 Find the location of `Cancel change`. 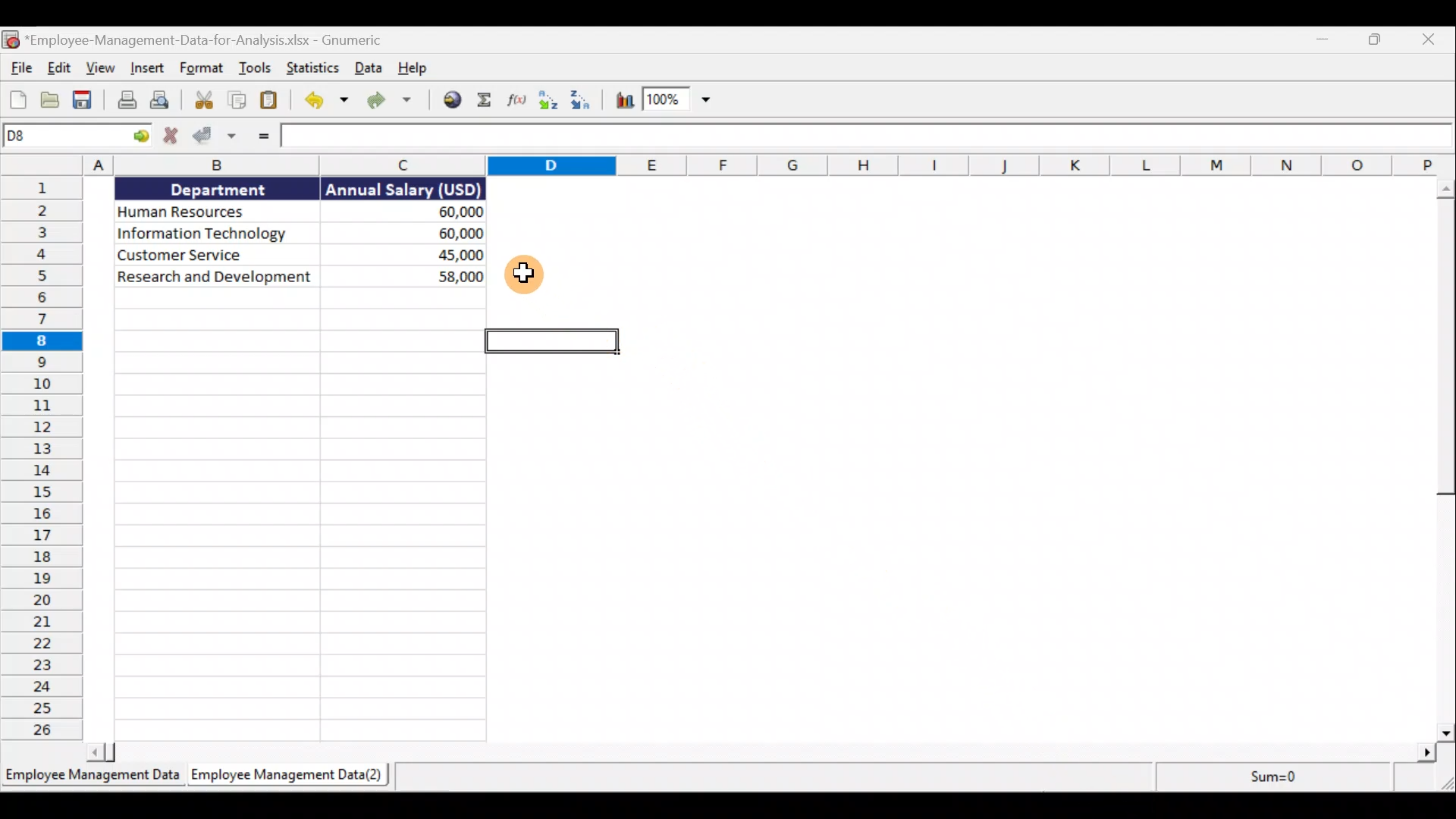

Cancel change is located at coordinates (168, 137).